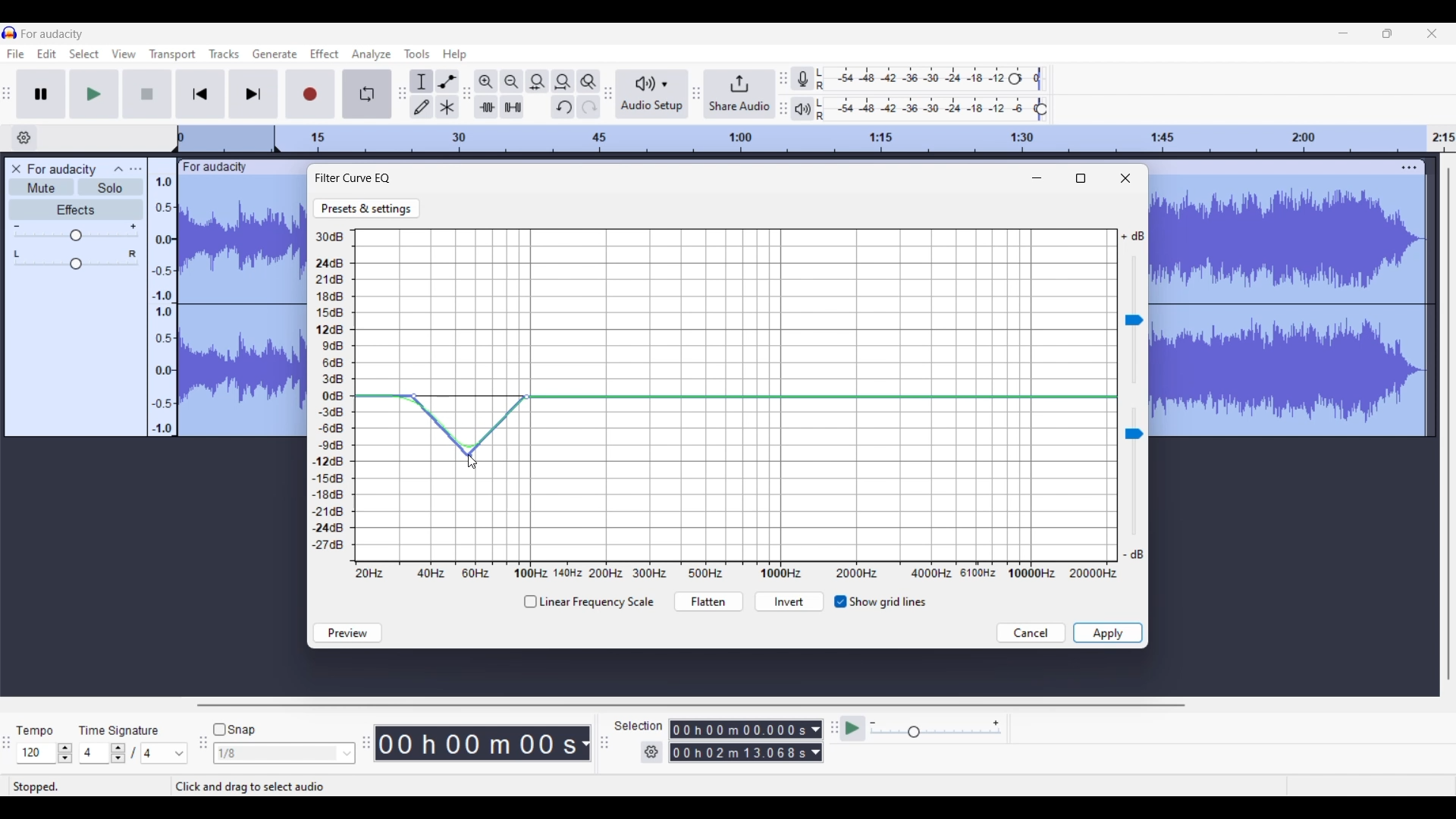 This screenshot has height=819, width=1456. What do you see at coordinates (537, 81) in the screenshot?
I see `Fit selection to width` at bounding box center [537, 81].